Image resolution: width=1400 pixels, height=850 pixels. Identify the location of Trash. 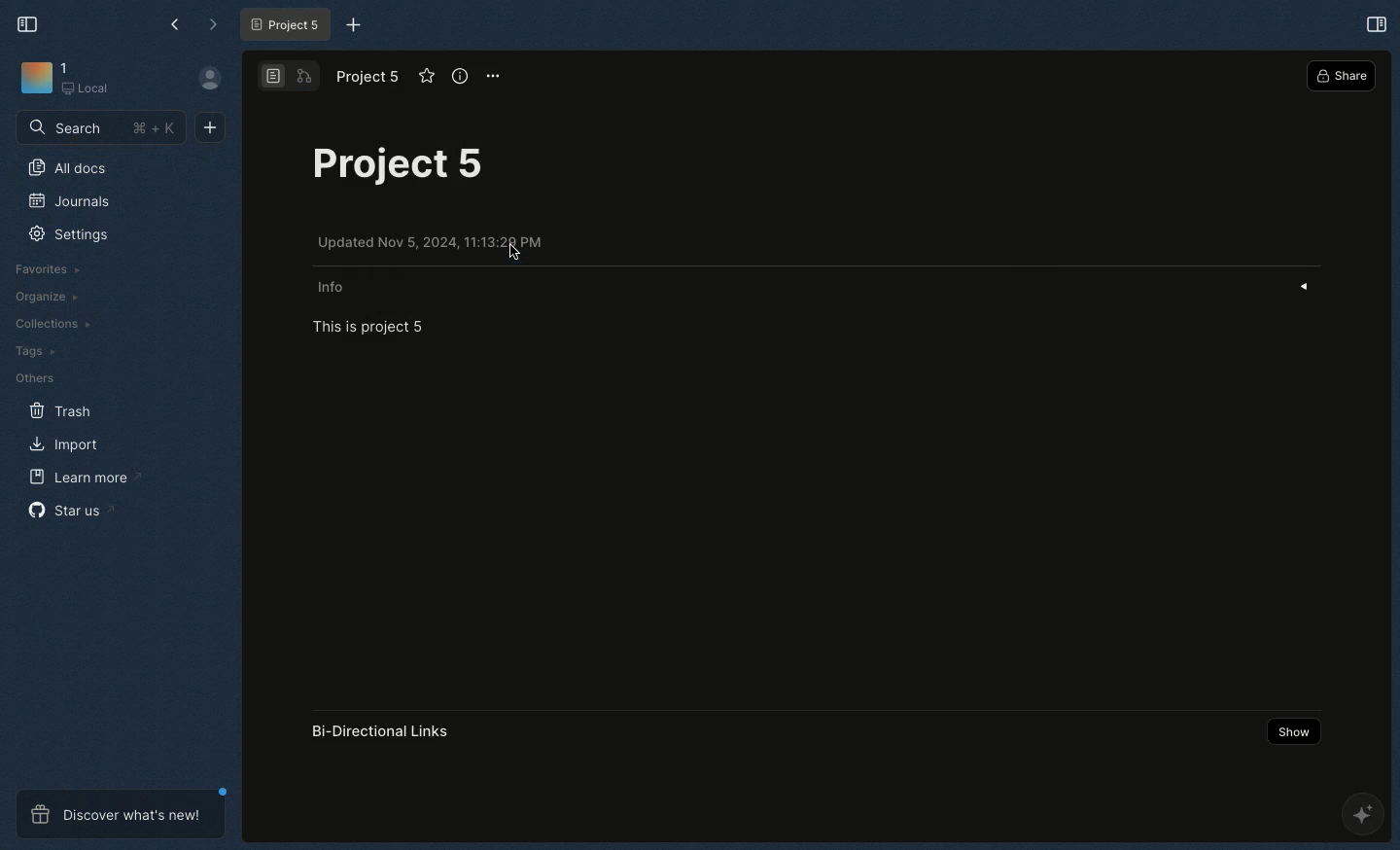
(62, 409).